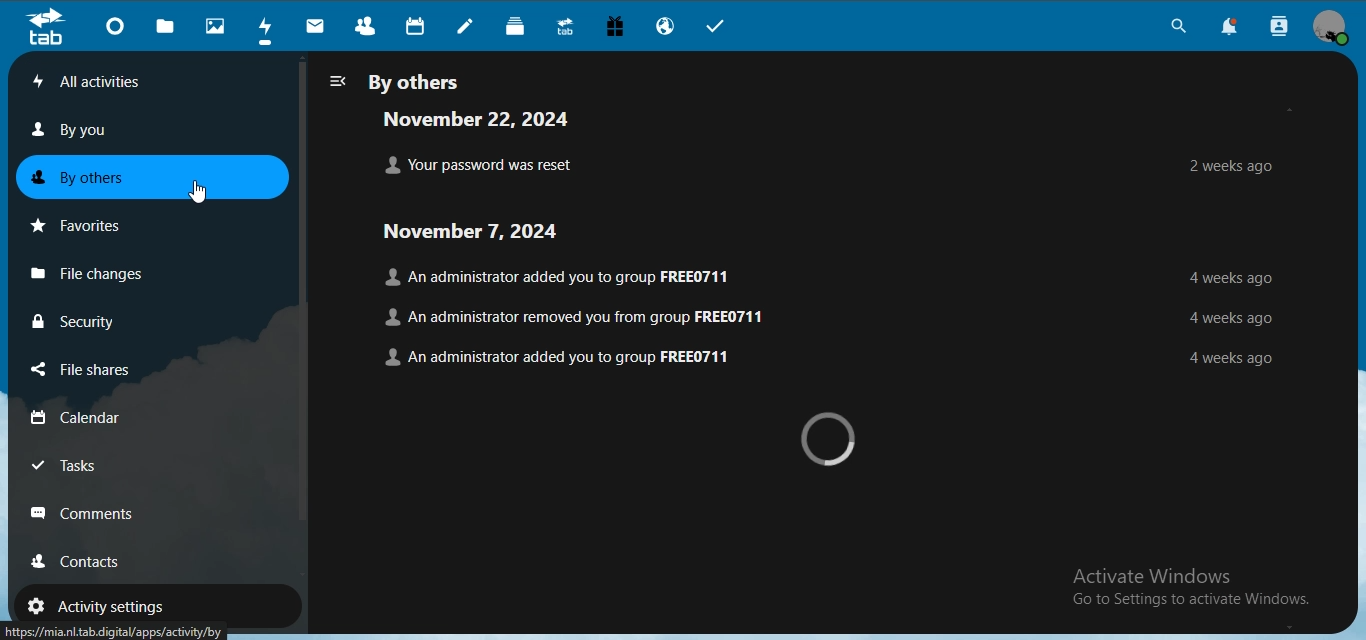 The image size is (1366, 640). What do you see at coordinates (166, 26) in the screenshot?
I see `files` at bounding box center [166, 26].